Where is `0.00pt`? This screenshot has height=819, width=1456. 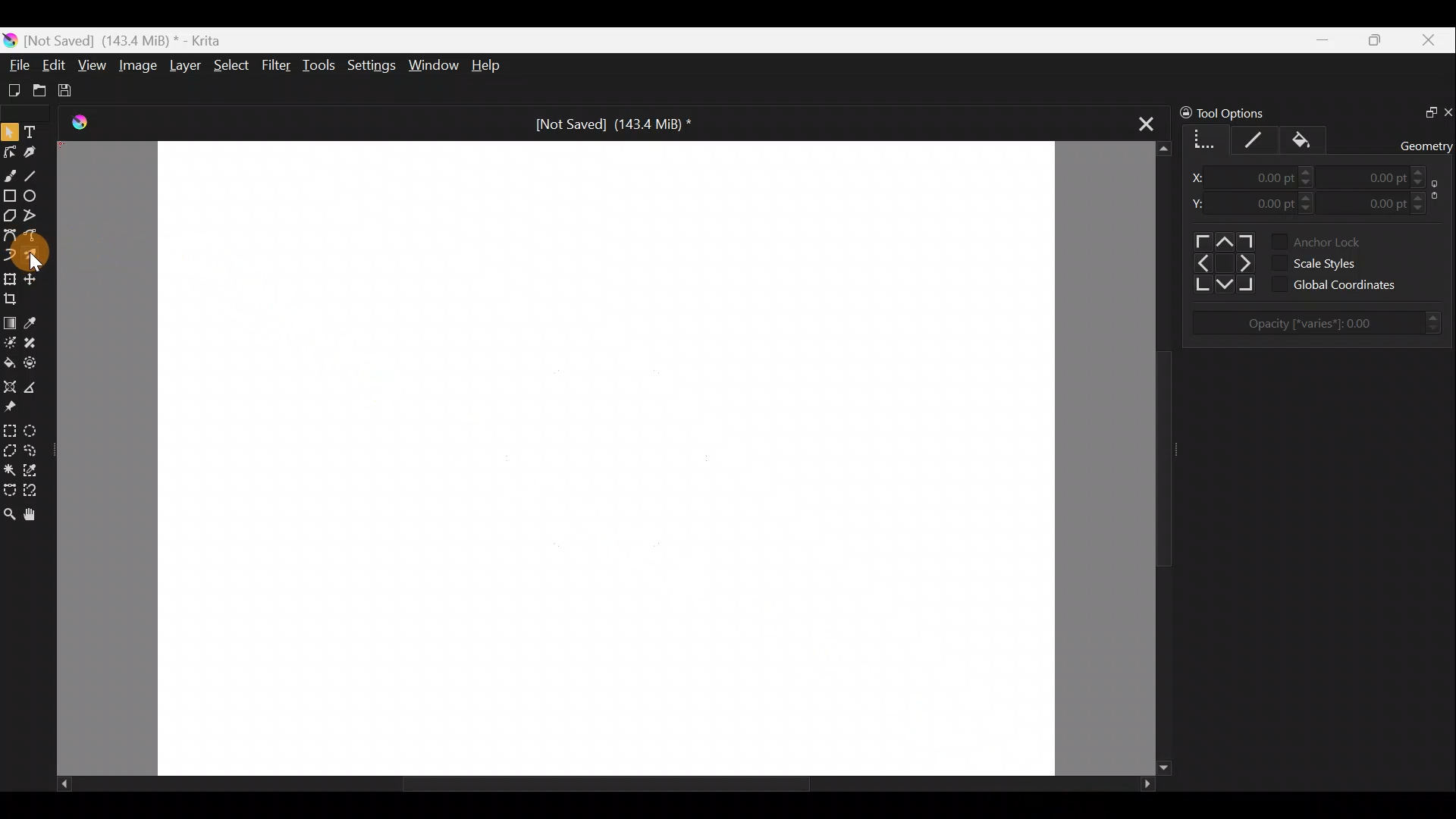
0.00pt is located at coordinates (1266, 204).